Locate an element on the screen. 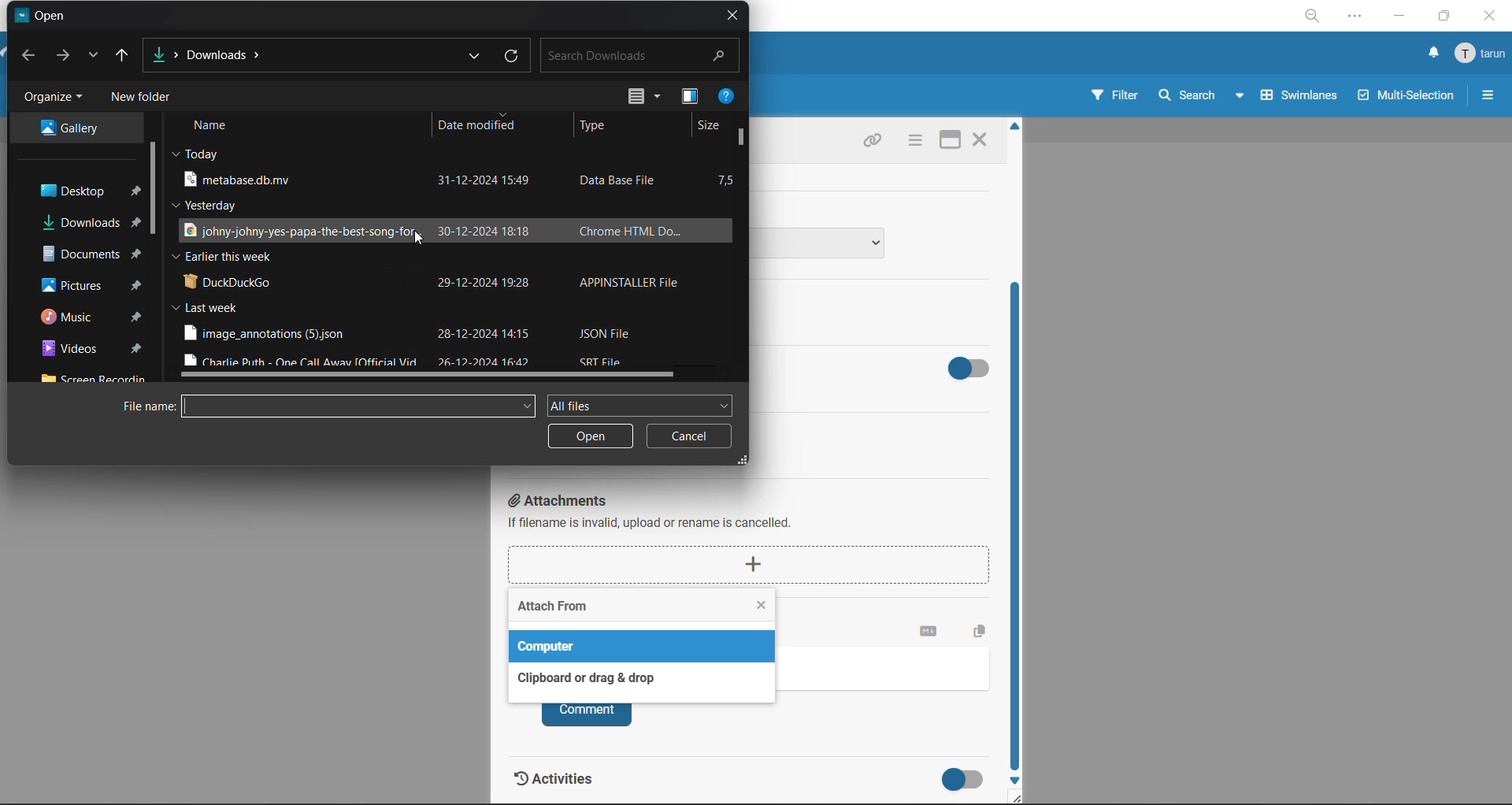 The height and width of the screenshot is (805, 1512). vertical scroll bar is located at coordinates (158, 191).